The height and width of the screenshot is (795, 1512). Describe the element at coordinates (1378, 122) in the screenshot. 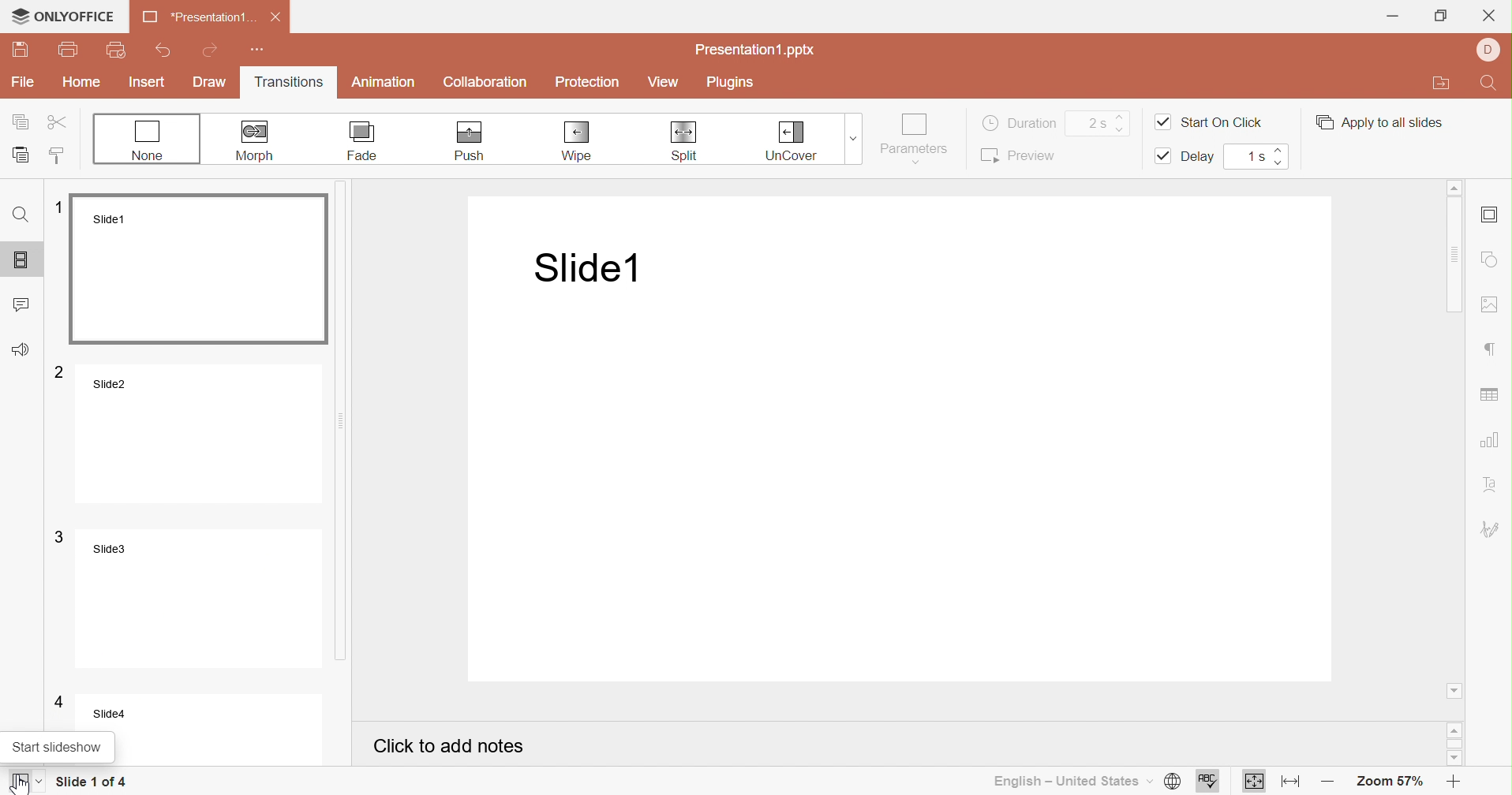

I see `Apply to all slides` at that location.